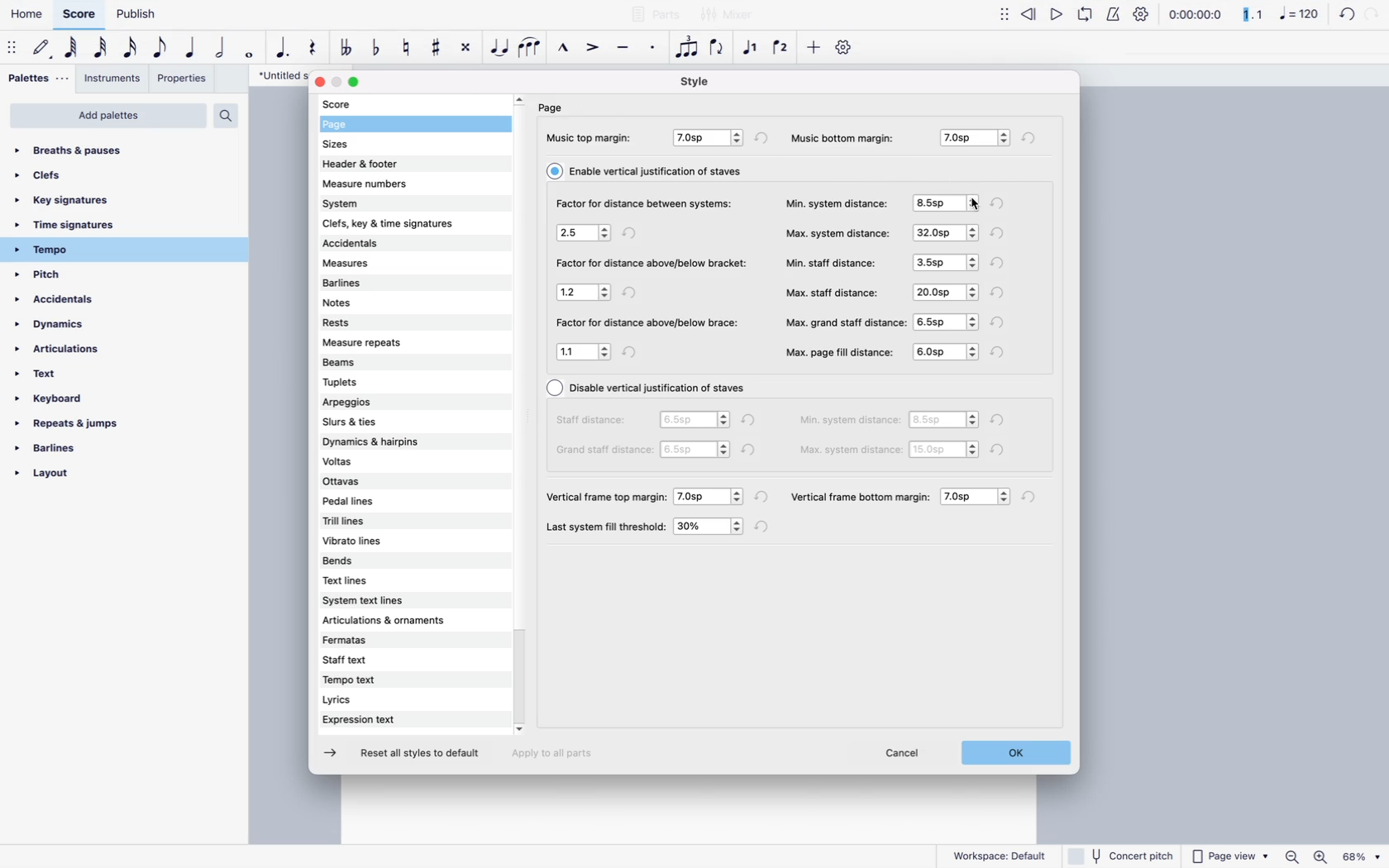 The image size is (1389, 868). I want to click on expression text, so click(378, 720).